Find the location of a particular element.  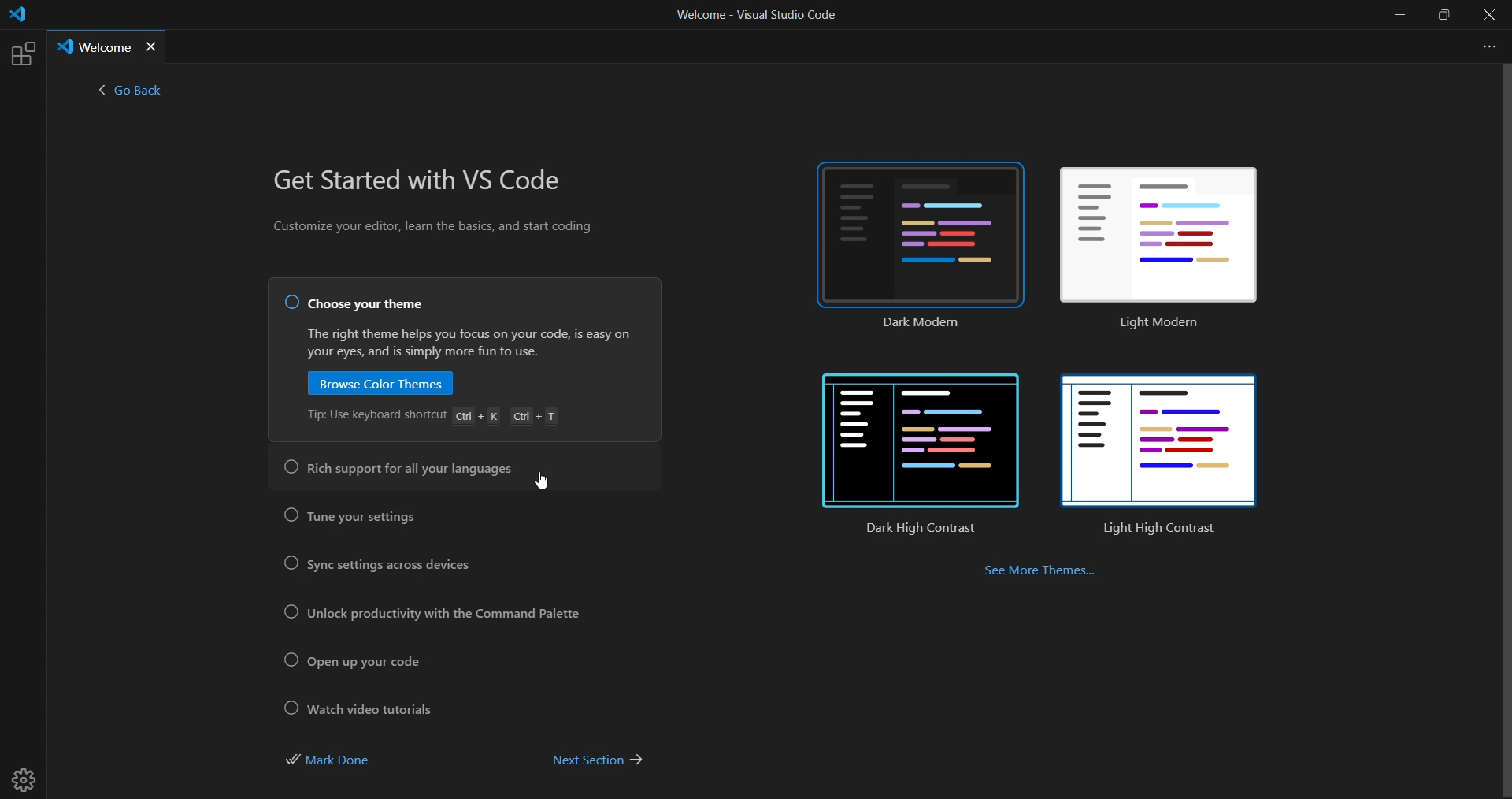

Customize your editor, learn the basics, and start coding is located at coordinates (436, 229).